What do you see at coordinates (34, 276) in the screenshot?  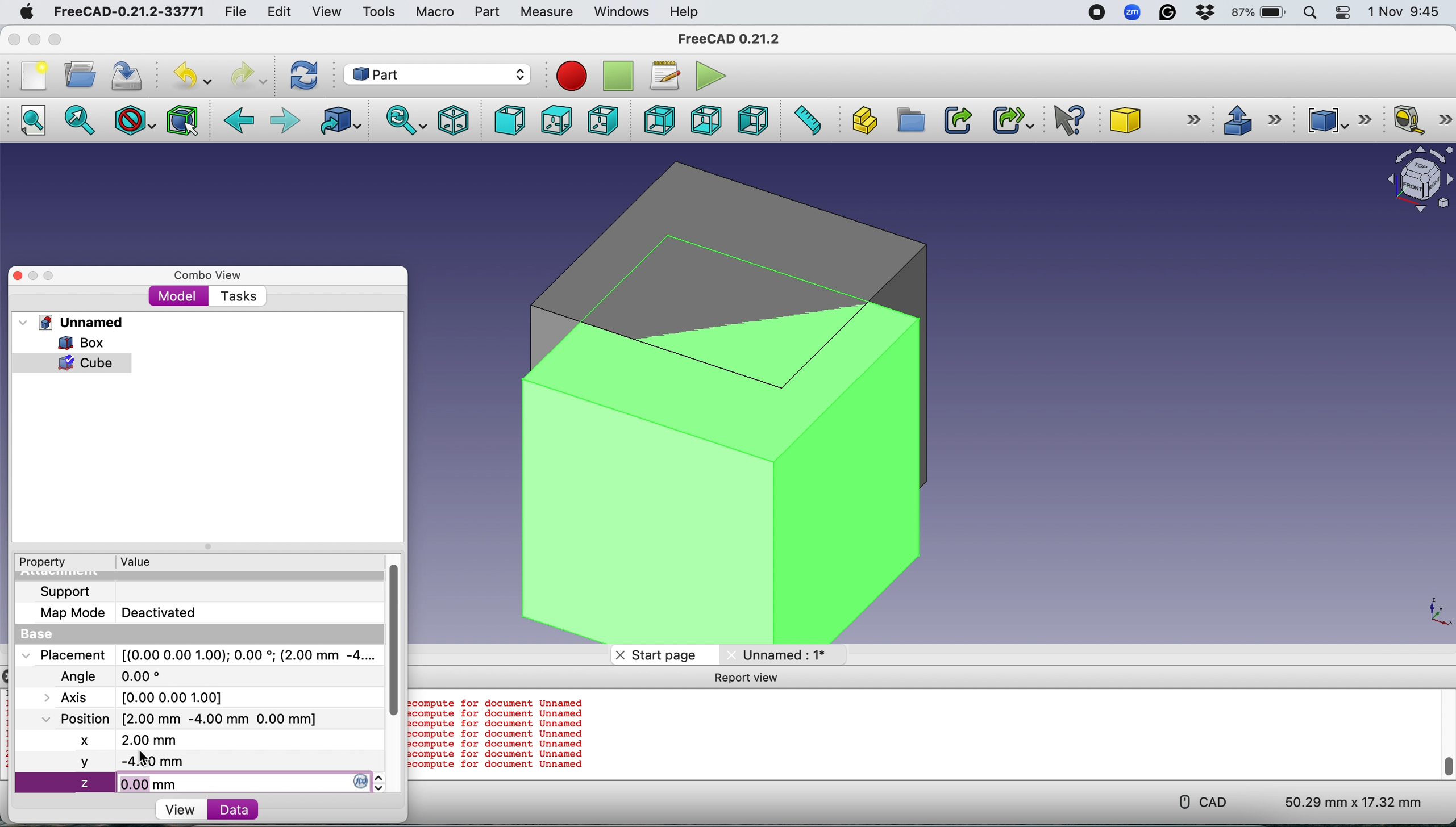 I see `Minimise` at bounding box center [34, 276].